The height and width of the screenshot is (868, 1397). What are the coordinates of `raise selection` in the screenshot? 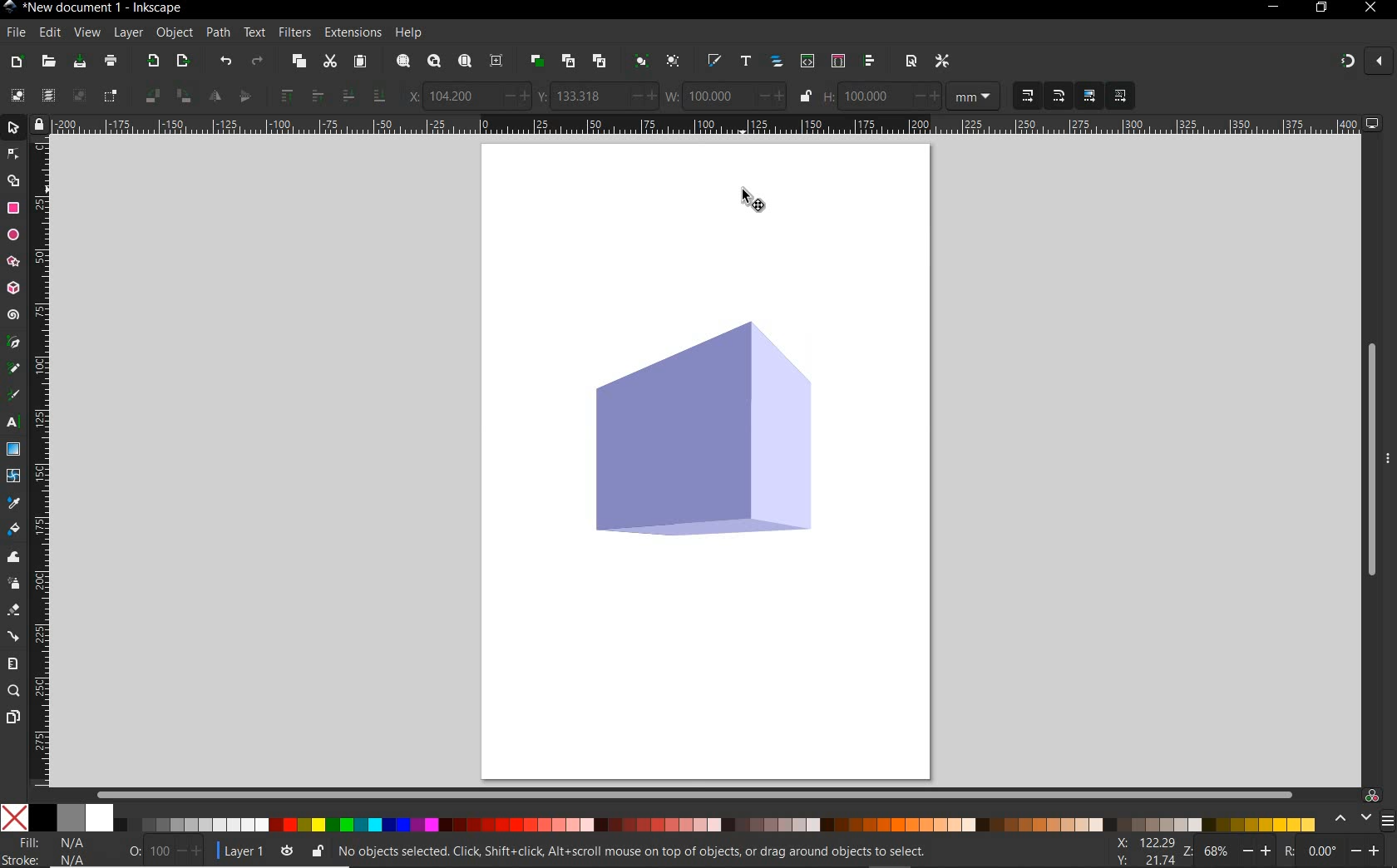 It's located at (286, 97).